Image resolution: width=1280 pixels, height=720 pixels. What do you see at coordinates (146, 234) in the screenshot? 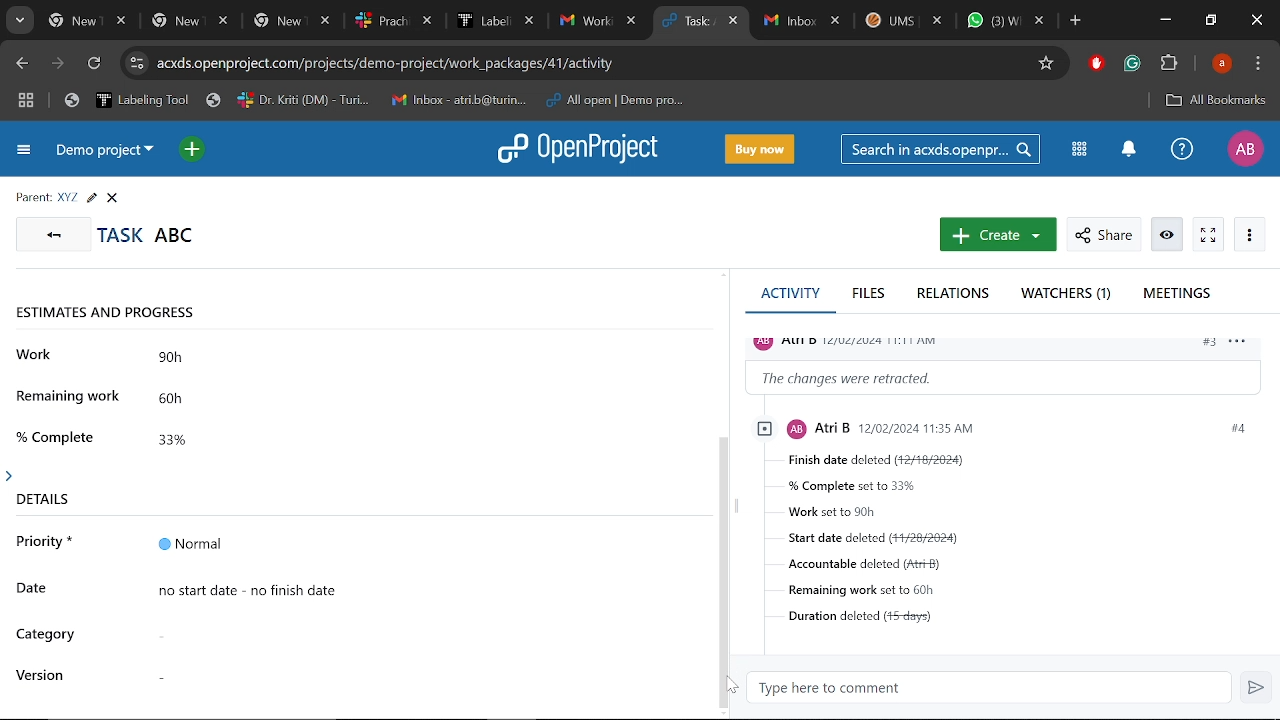
I see `Task titled "ABC"` at bounding box center [146, 234].